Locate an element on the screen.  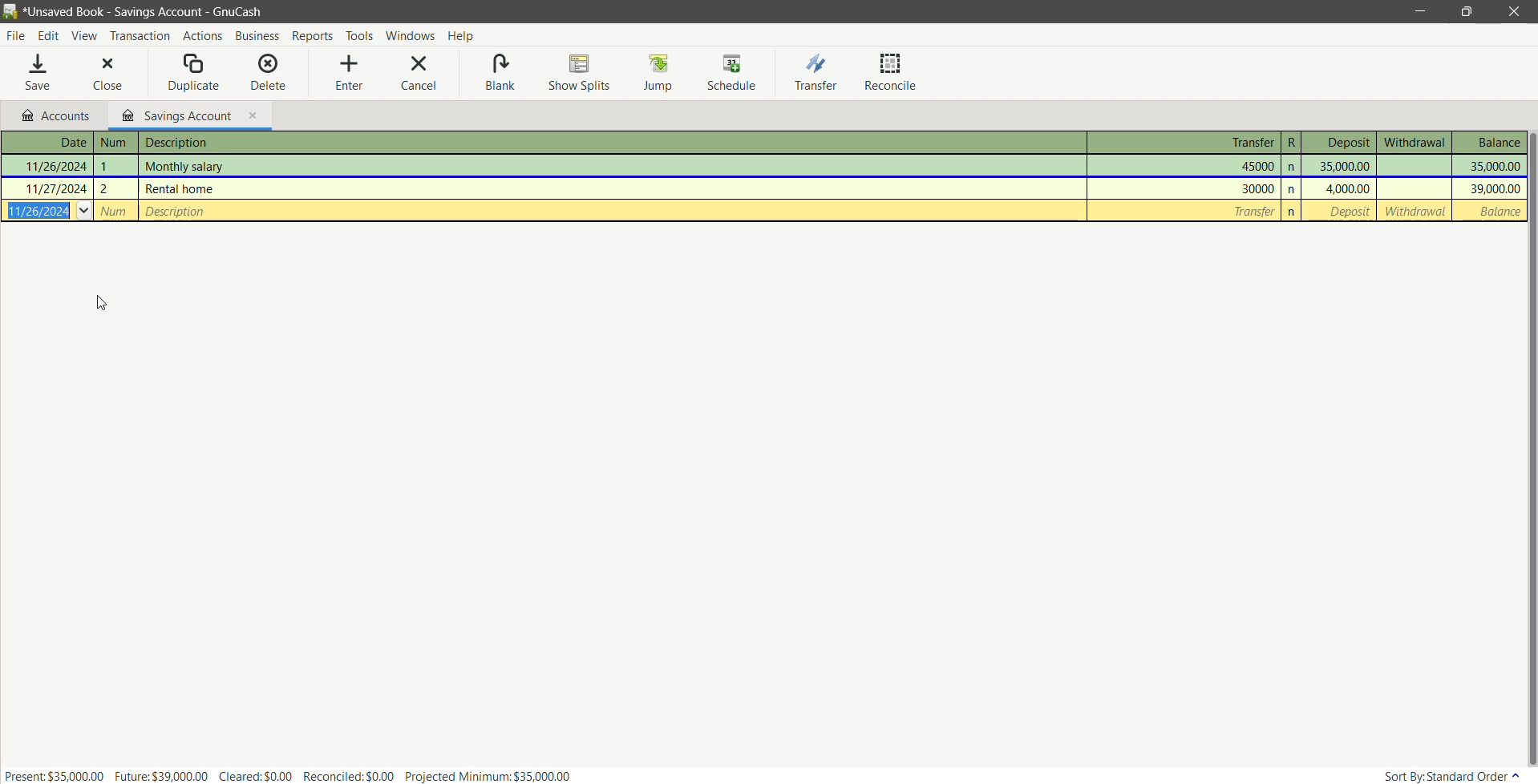
Transfer is located at coordinates (819, 73).